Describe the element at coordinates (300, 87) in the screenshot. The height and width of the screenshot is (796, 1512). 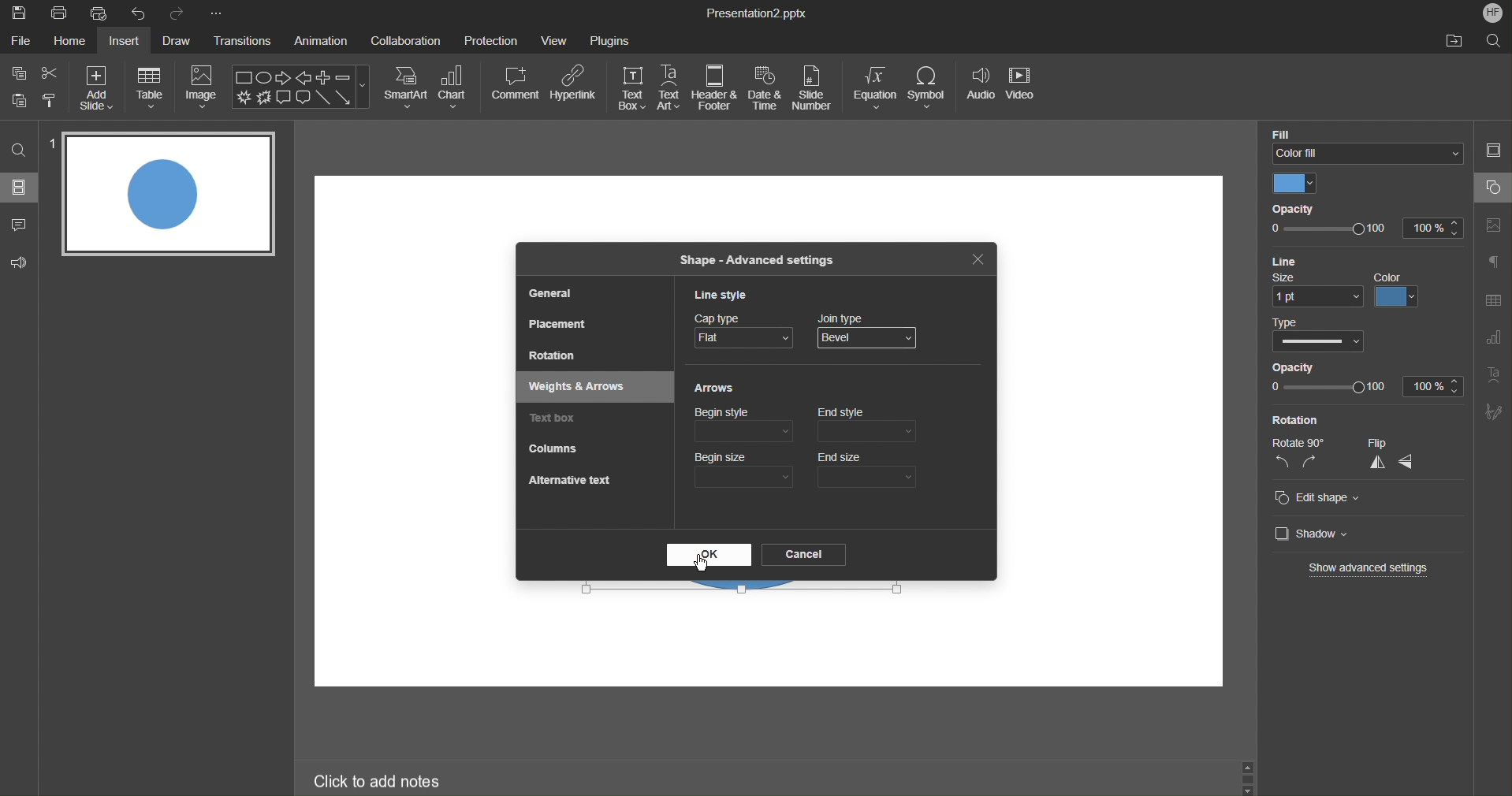
I see `Shape Menu` at that location.